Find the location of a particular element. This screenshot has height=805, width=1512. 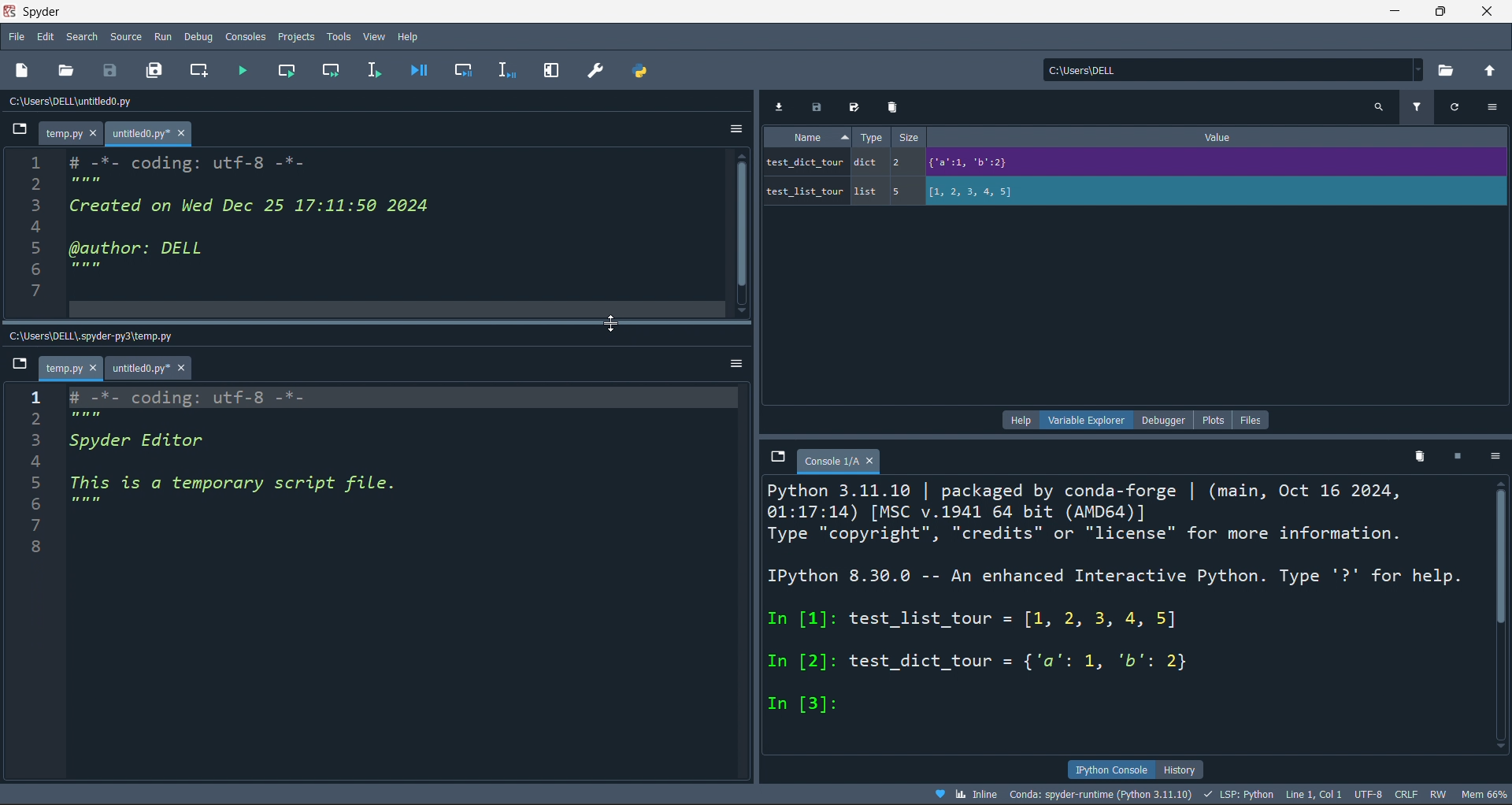

expand pane is located at coordinates (552, 71).